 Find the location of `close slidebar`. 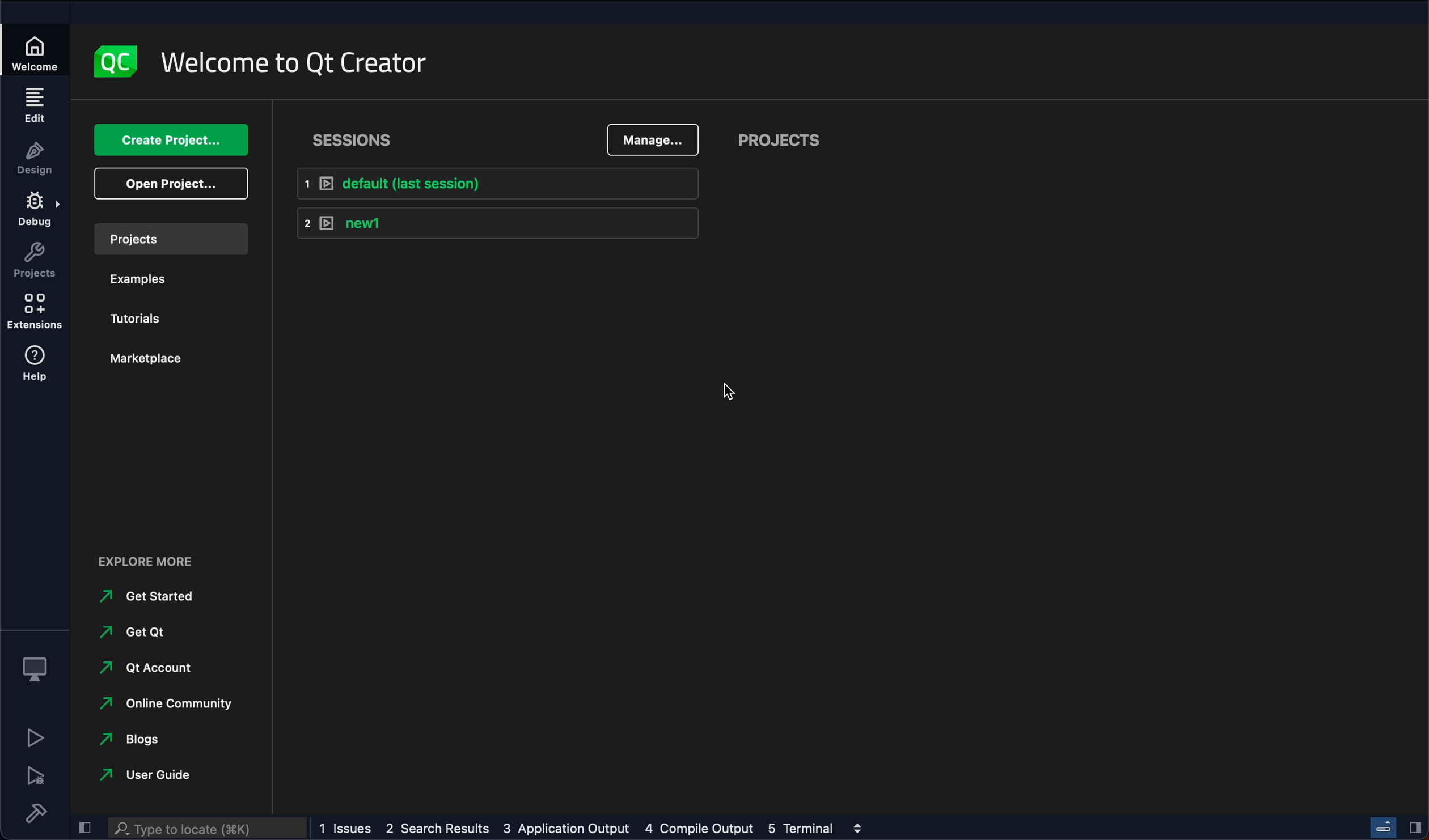

close slidebar is located at coordinates (1416, 828).